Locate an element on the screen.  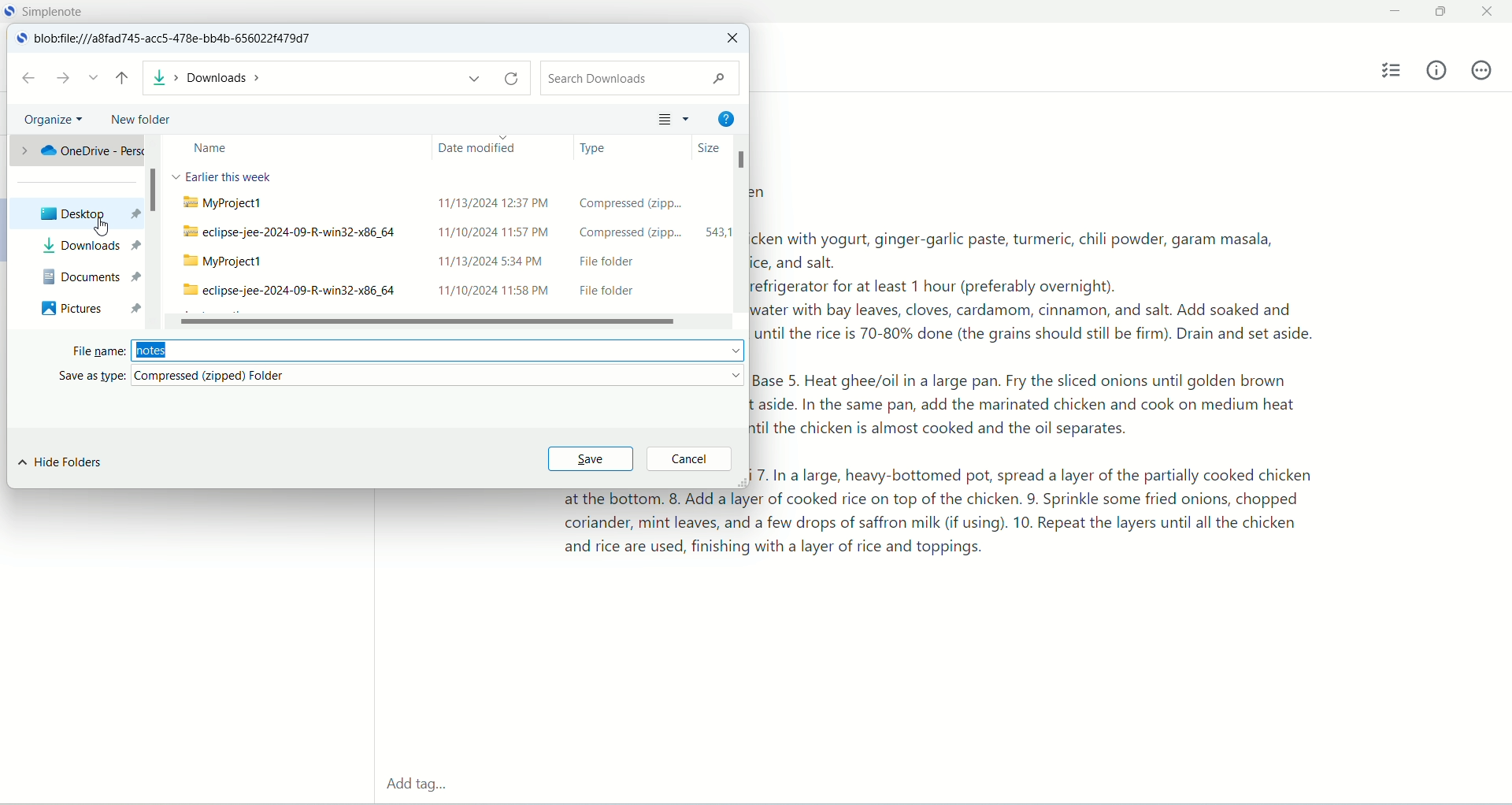
folders is located at coordinates (452, 244).